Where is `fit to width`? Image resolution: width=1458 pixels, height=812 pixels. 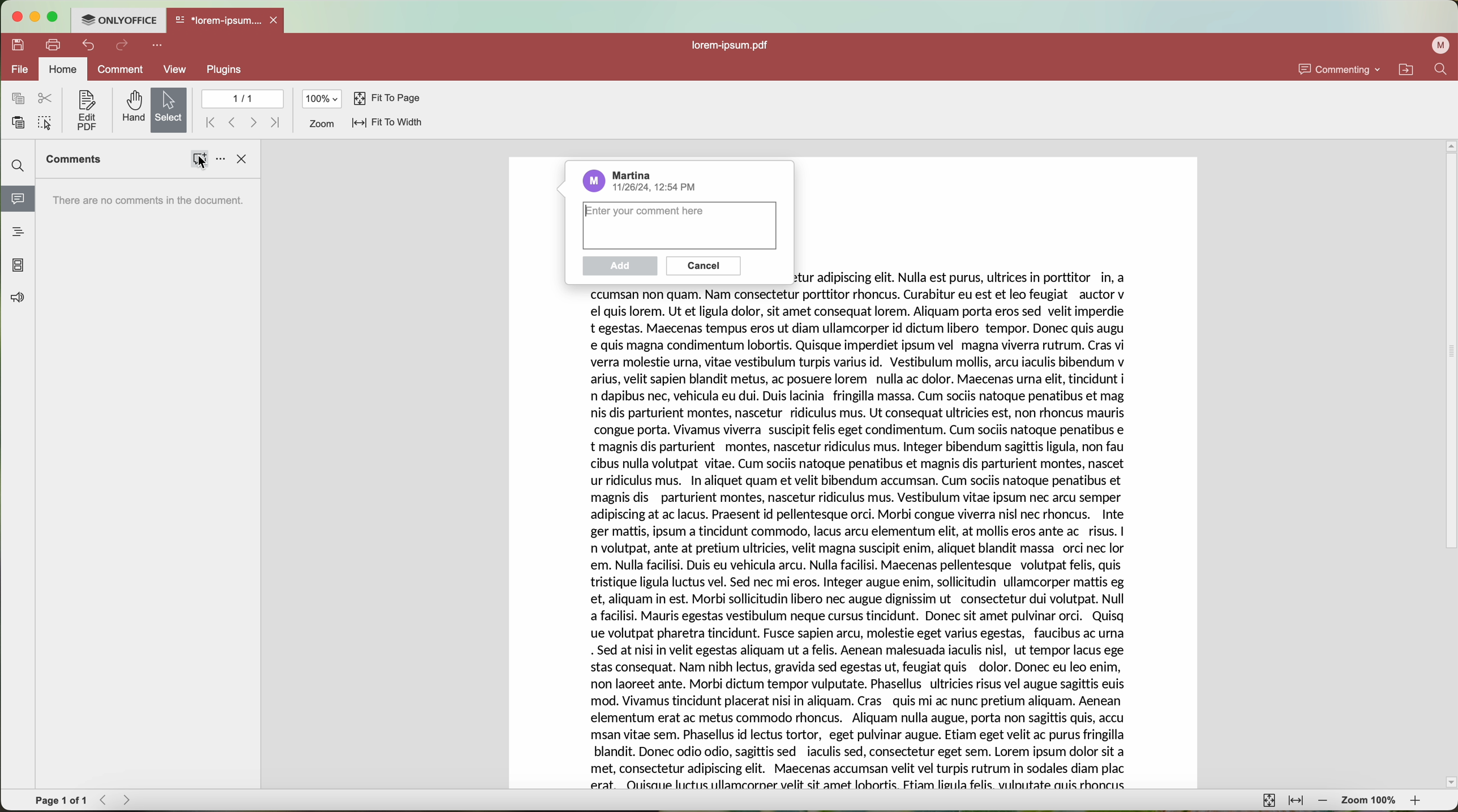 fit to width is located at coordinates (387, 124).